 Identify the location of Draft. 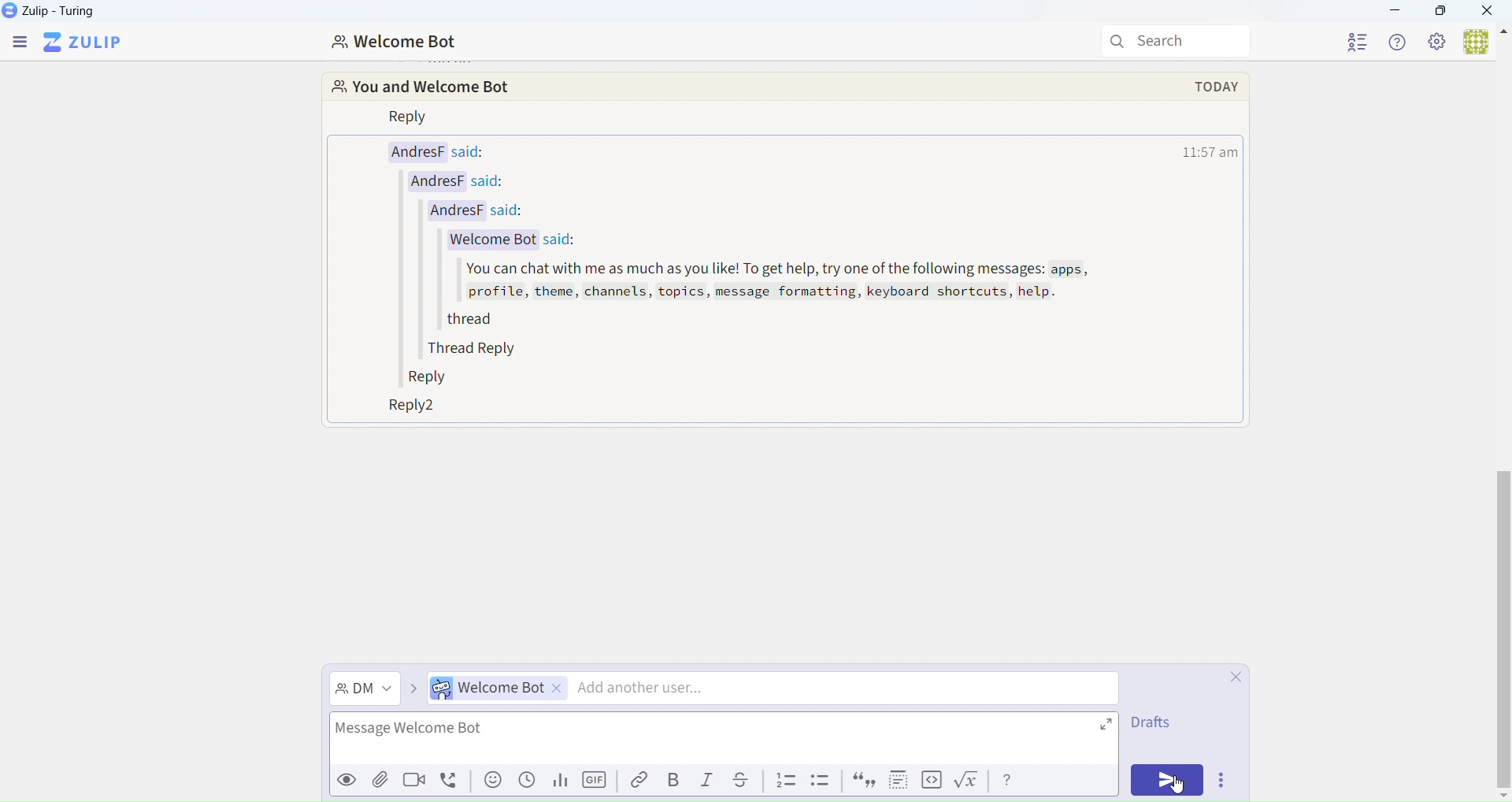
(1147, 724).